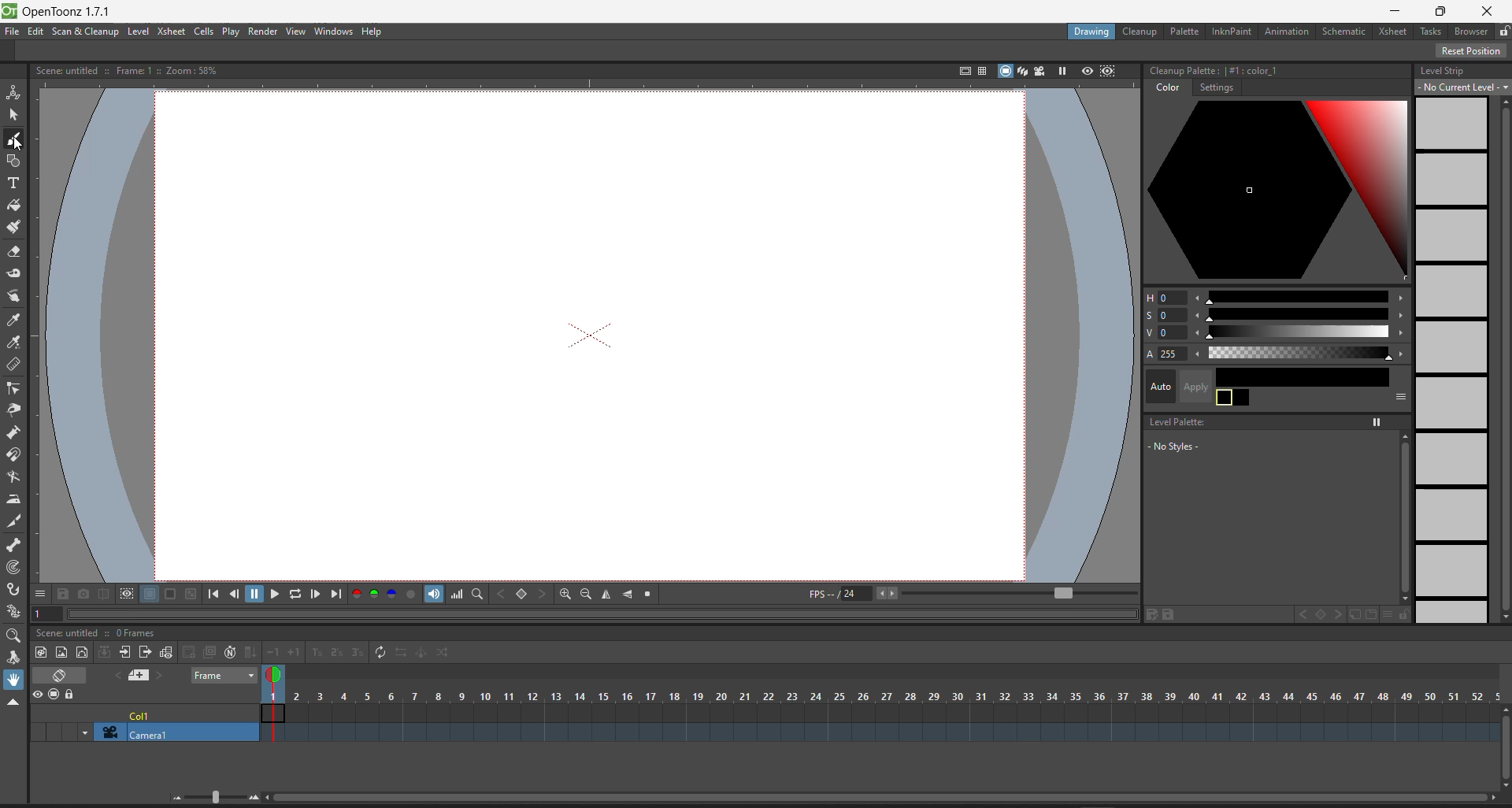  I want to click on palette data, so click(1215, 68).